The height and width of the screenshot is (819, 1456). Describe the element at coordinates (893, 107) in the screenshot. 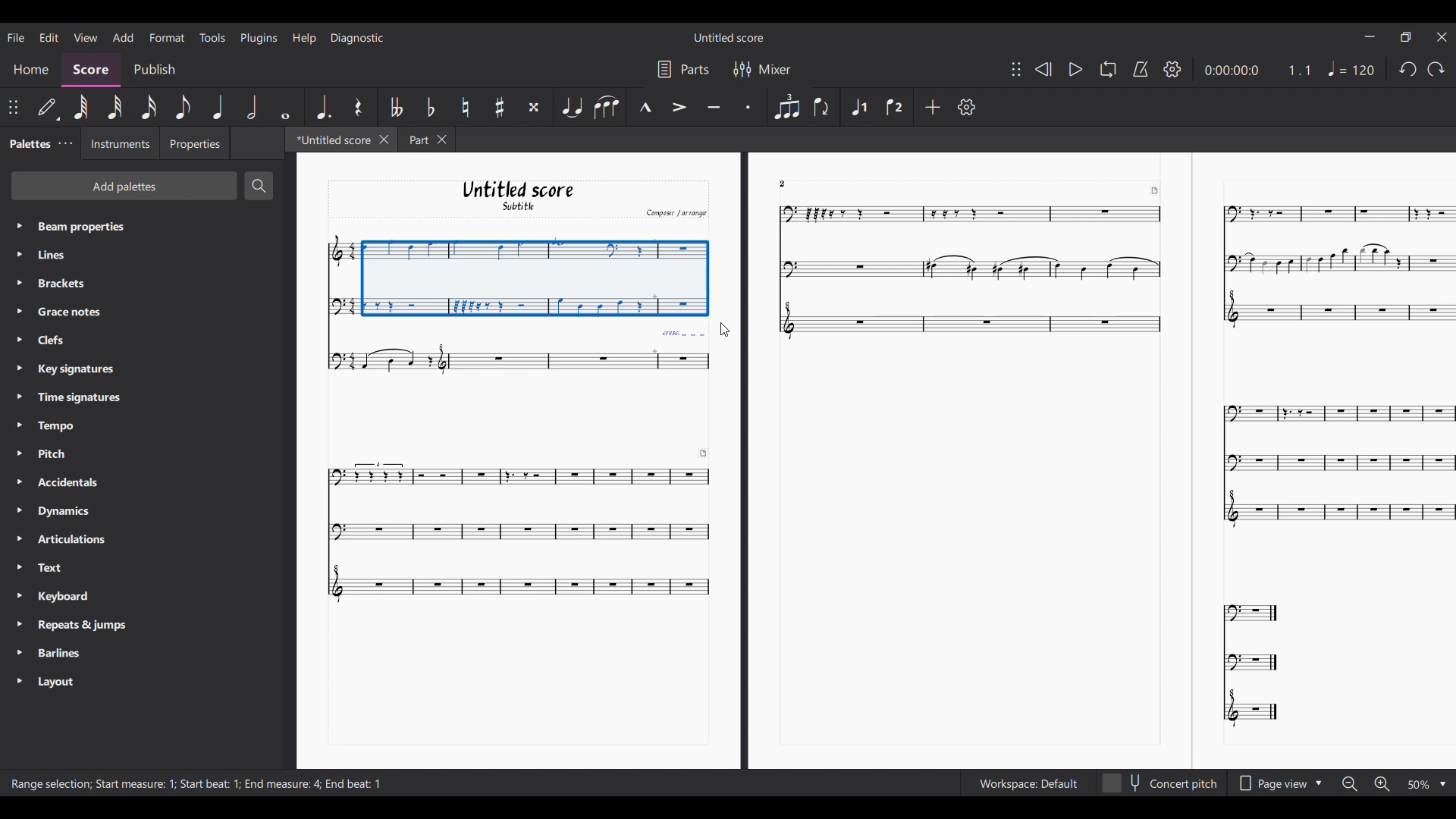

I see `Voice 2` at that location.